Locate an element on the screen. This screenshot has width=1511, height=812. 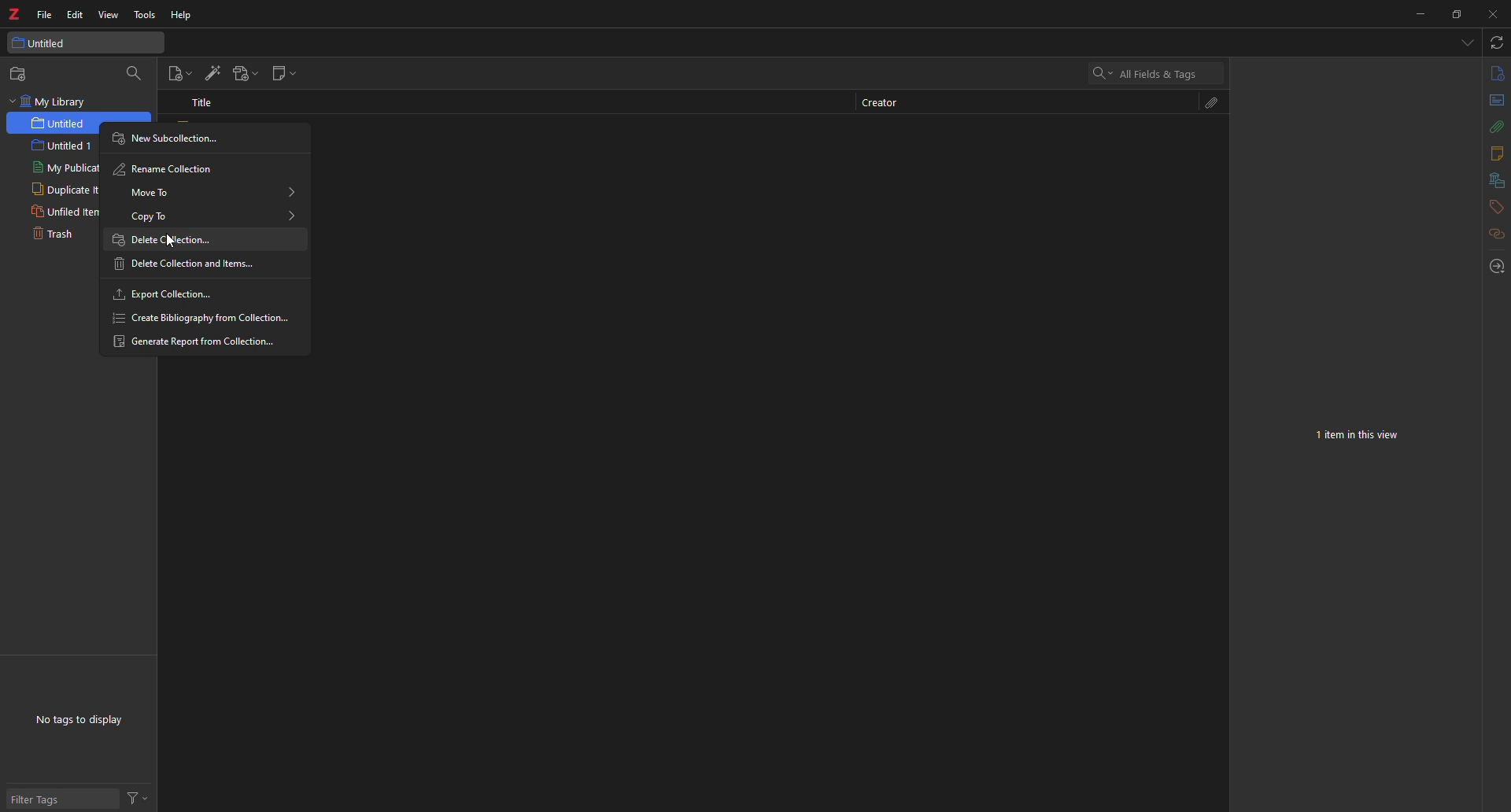
sync is located at coordinates (1495, 42).